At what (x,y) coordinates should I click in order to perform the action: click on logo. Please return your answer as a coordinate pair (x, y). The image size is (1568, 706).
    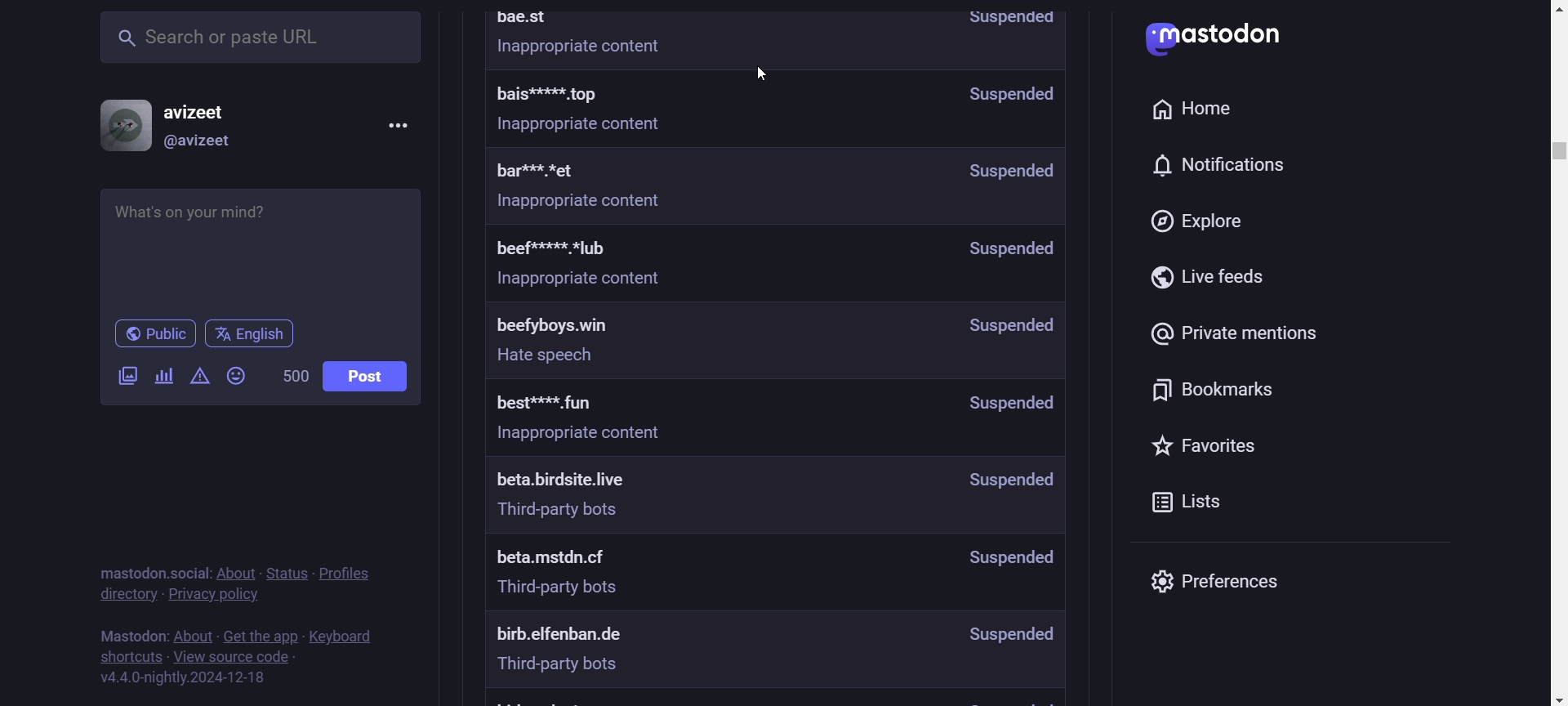
    Looking at the image, I should click on (1144, 40).